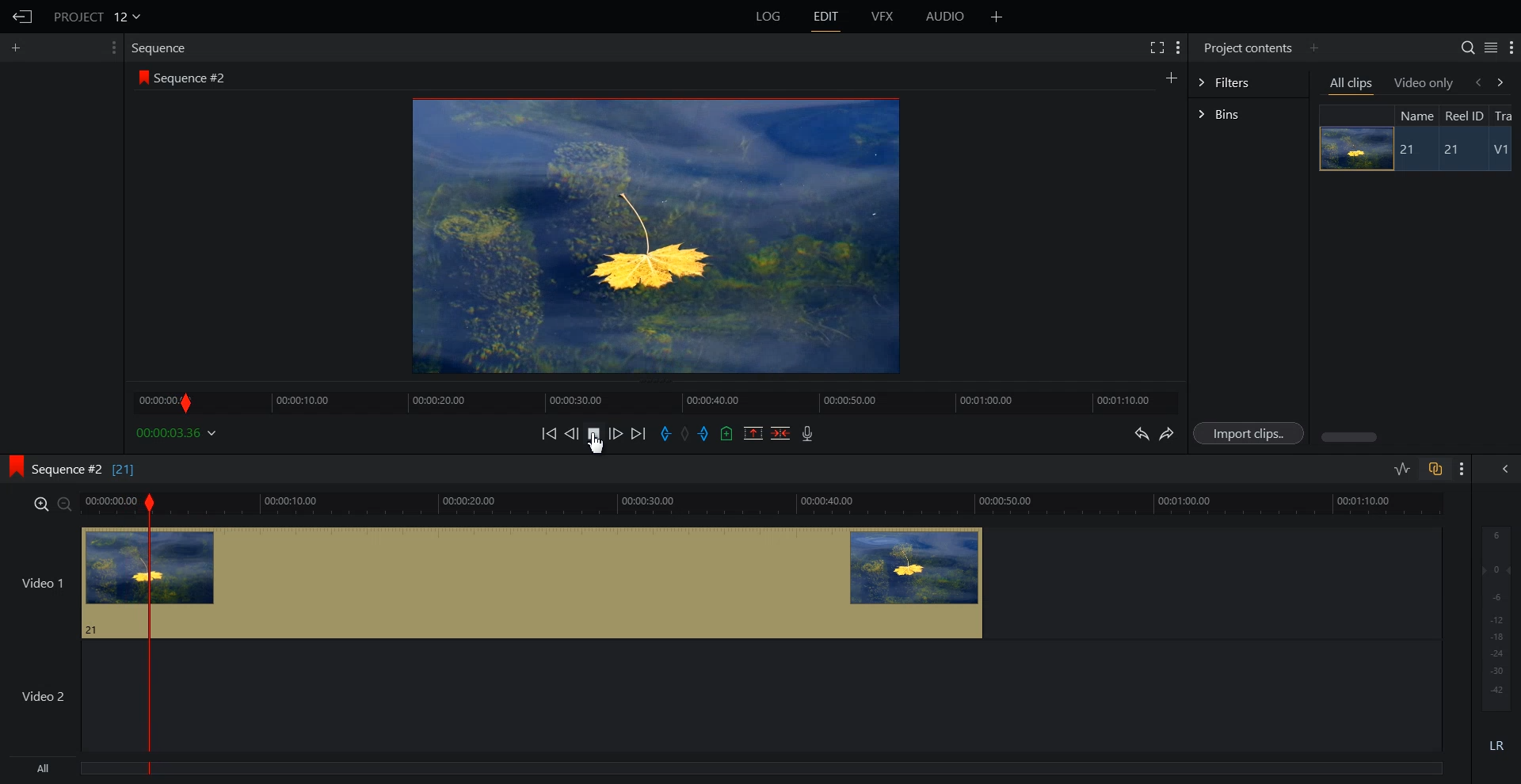  I want to click on Toggle audio level editing, so click(1402, 468).